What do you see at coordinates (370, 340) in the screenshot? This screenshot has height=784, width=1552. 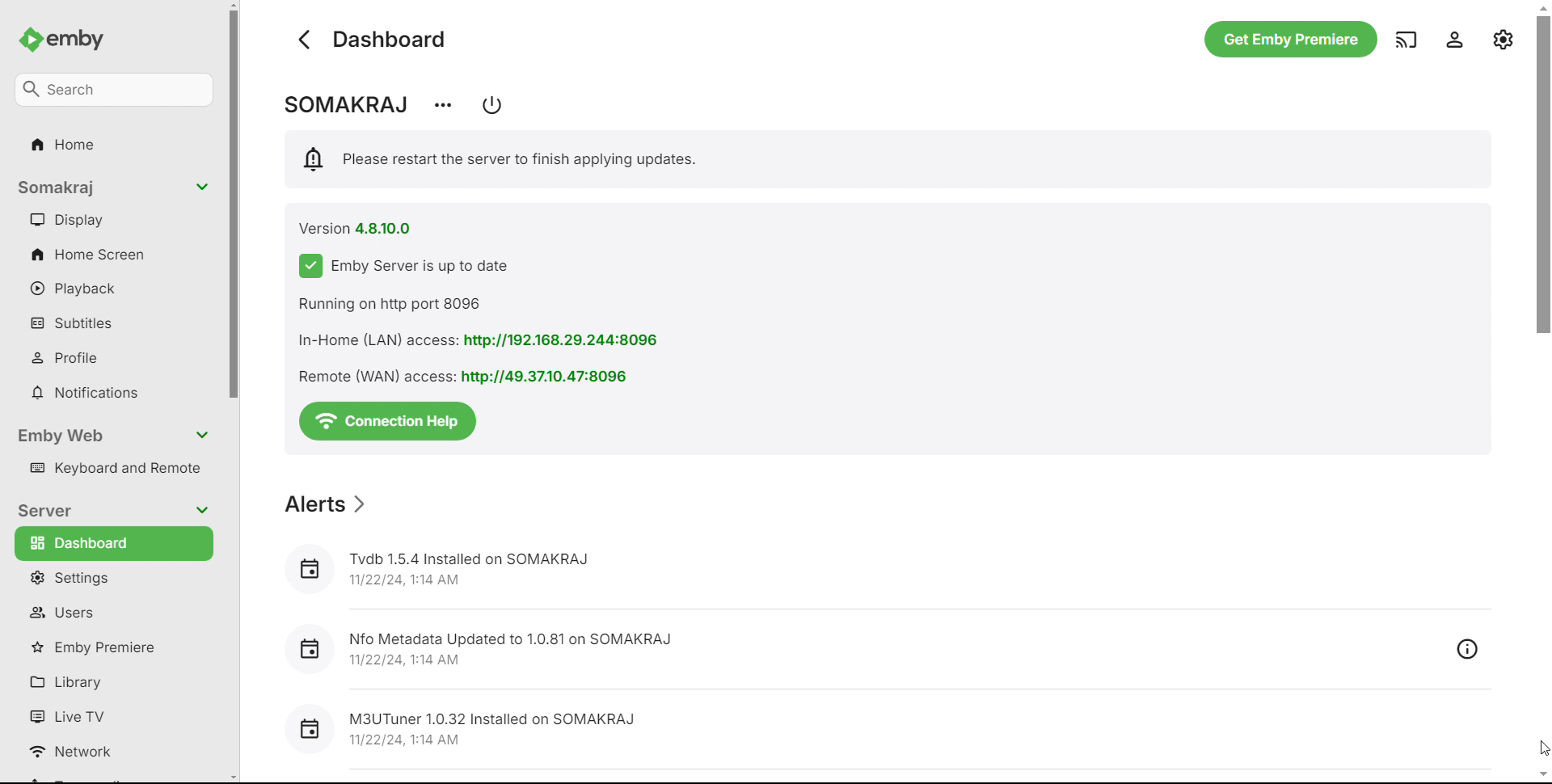 I see `In-Home (LAN) access:` at bounding box center [370, 340].